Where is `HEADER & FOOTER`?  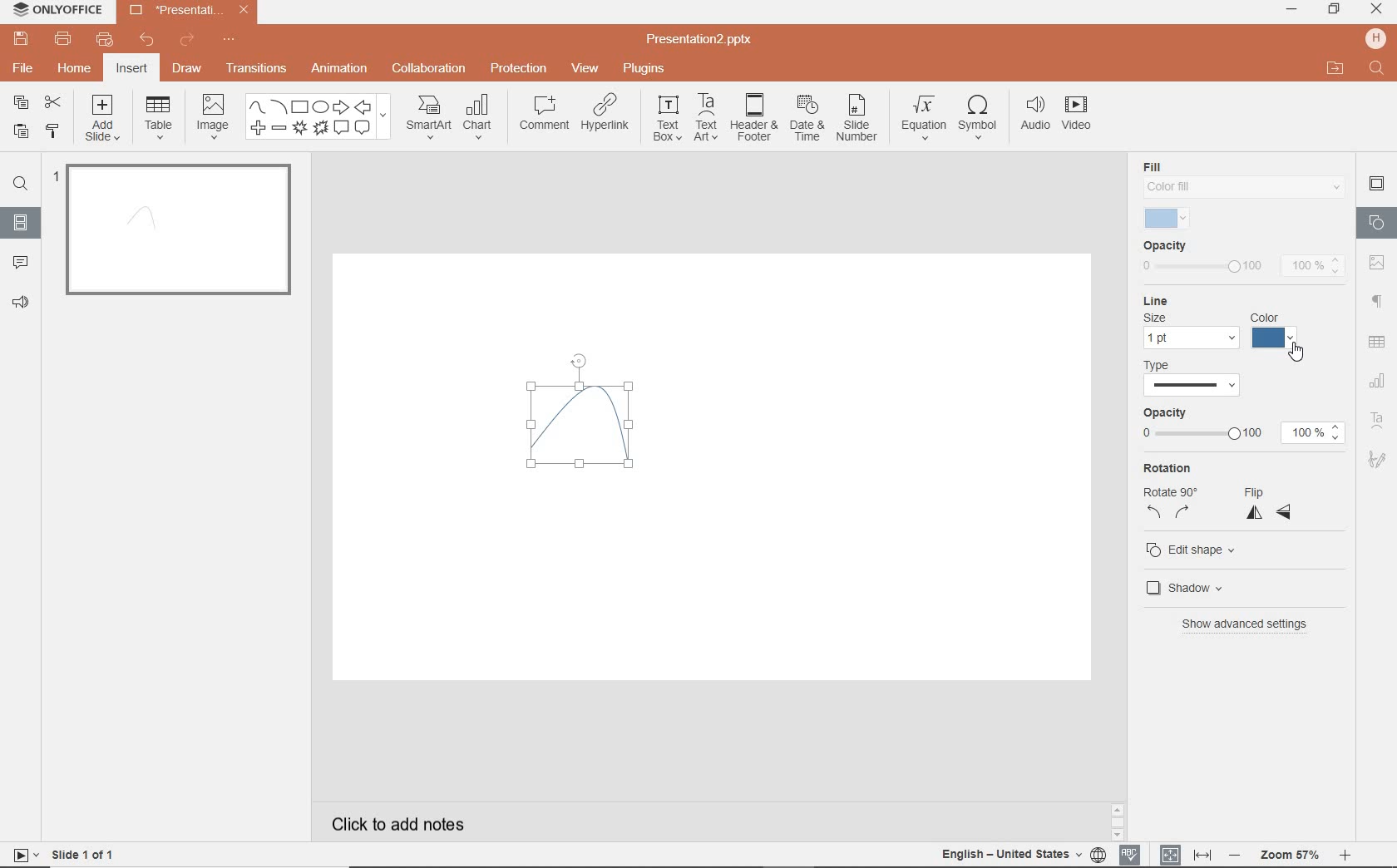
HEADER & FOOTER is located at coordinates (753, 118).